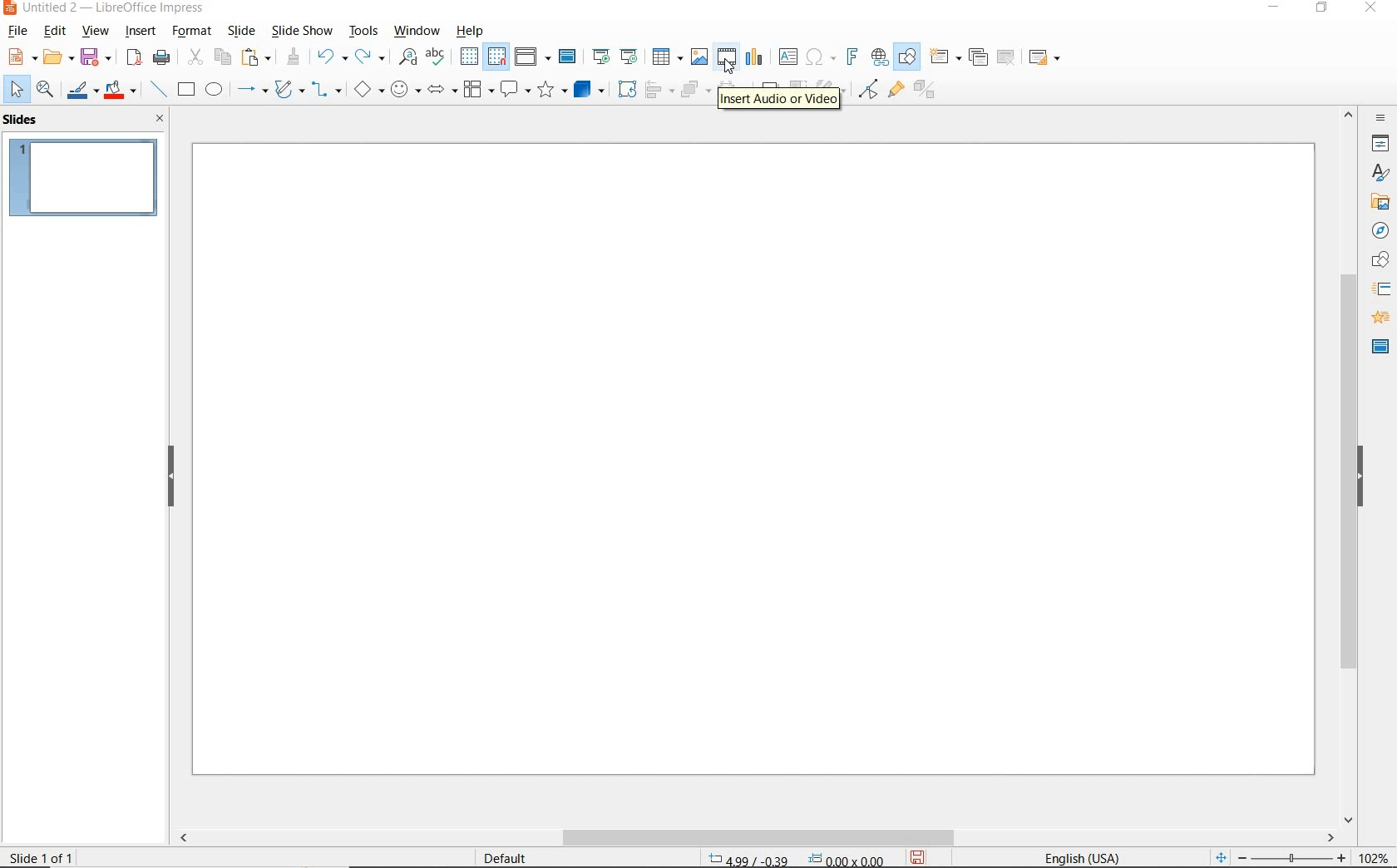 The image size is (1397, 868). What do you see at coordinates (300, 32) in the screenshot?
I see `SLIDE SHOW` at bounding box center [300, 32].